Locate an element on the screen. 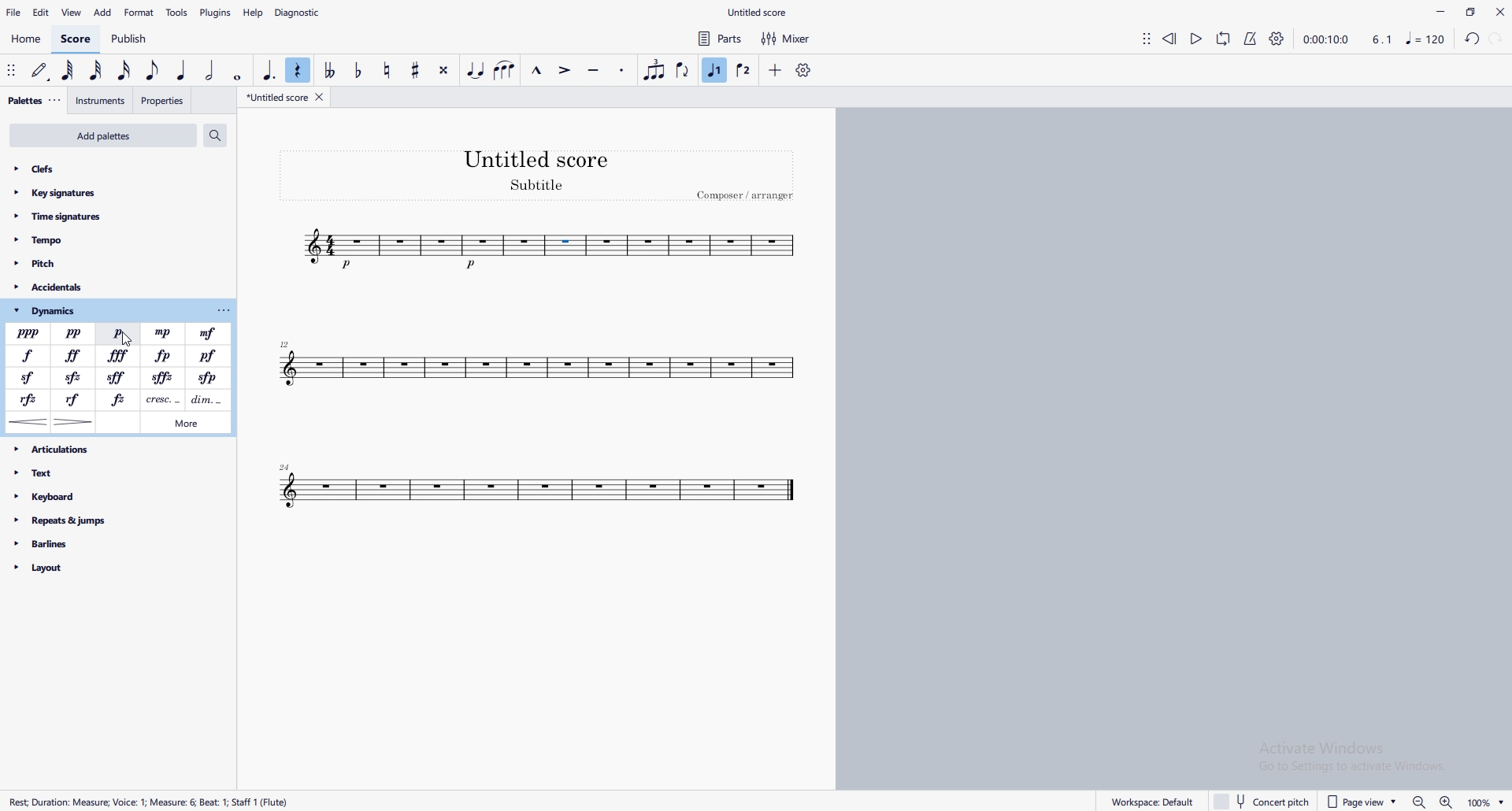 Image resolution: width=1512 pixels, height=811 pixels. sforzandopiano is located at coordinates (209, 378).